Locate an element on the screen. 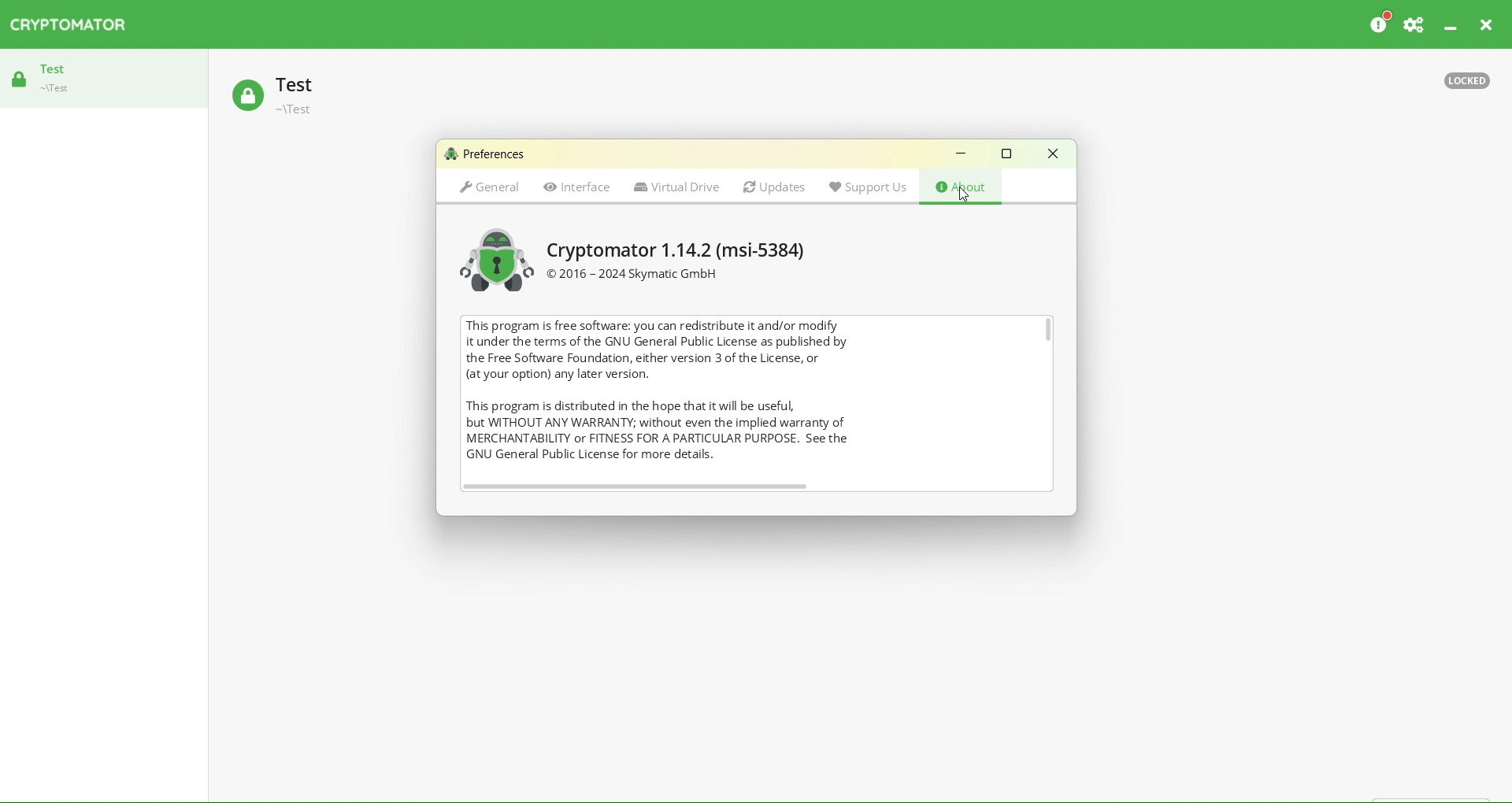 The width and height of the screenshot is (1512, 803). Box is located at coordinates (1009, 157).